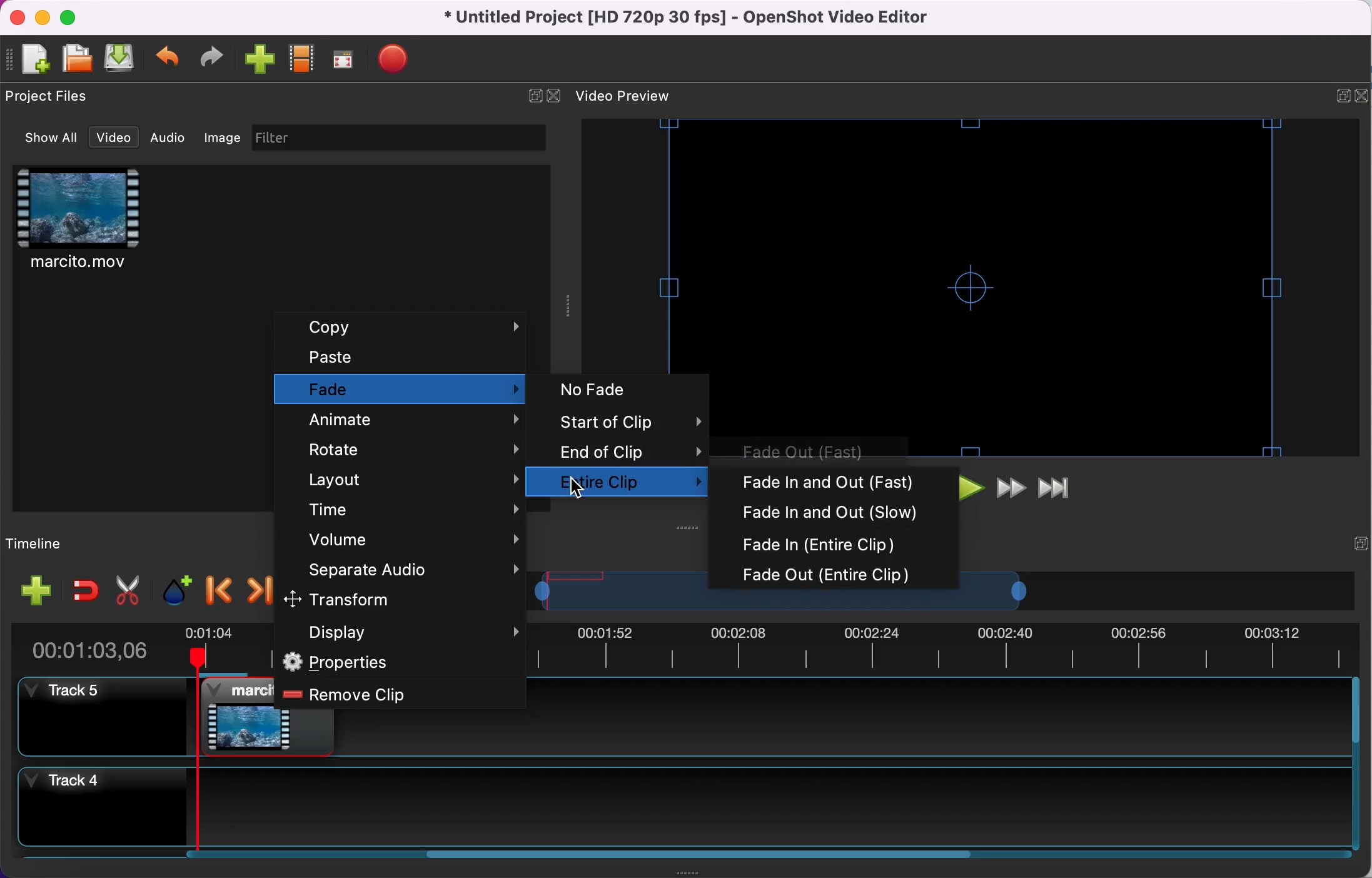 The image size is (1372, 878). Describe the element at coordinates (645, 98) in the screenshot. I see `video preview` at that location.